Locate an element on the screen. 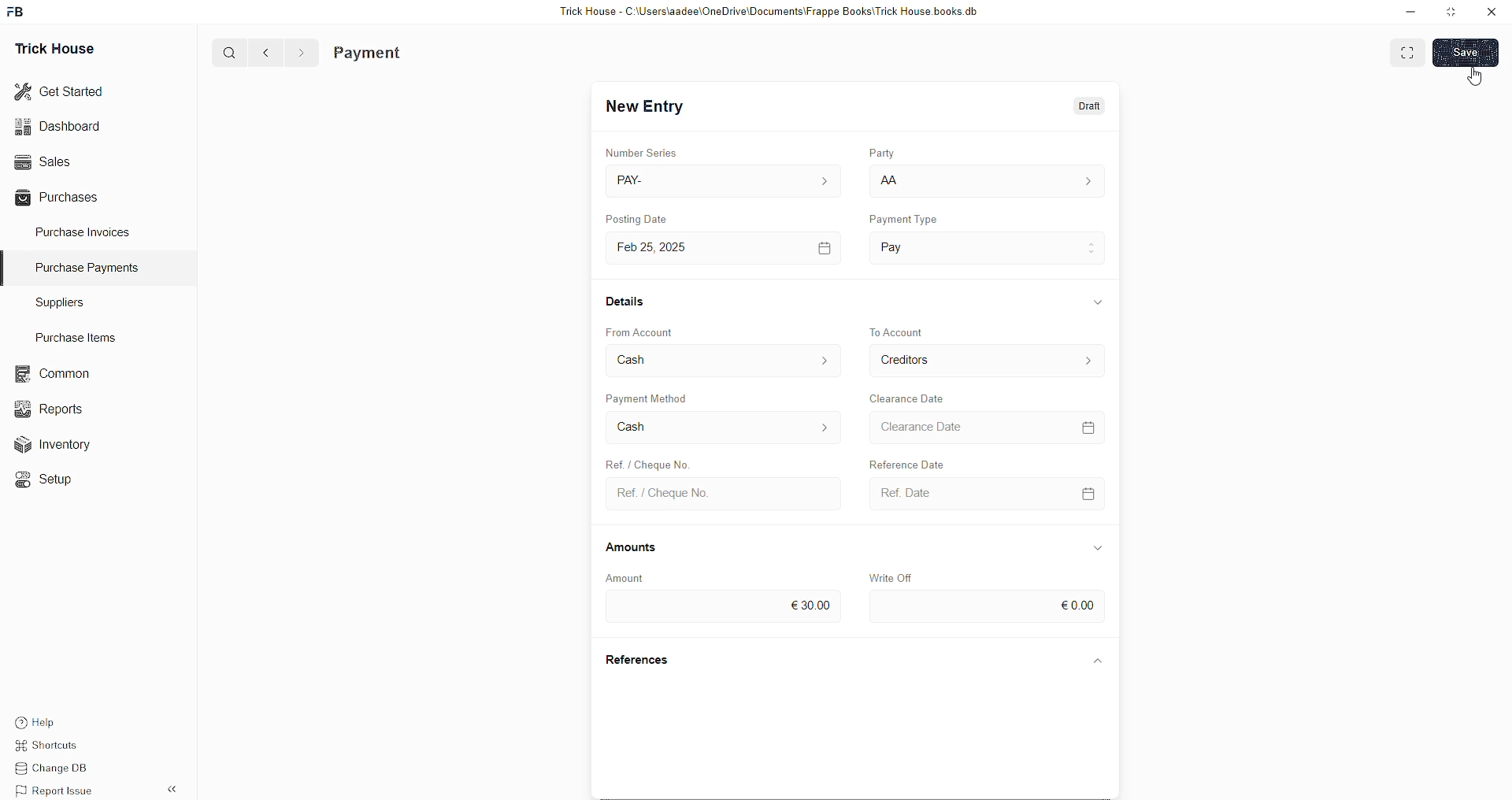 The width and height of the screenshot is (1512, 800). to account is located at coordinates (913, 331).